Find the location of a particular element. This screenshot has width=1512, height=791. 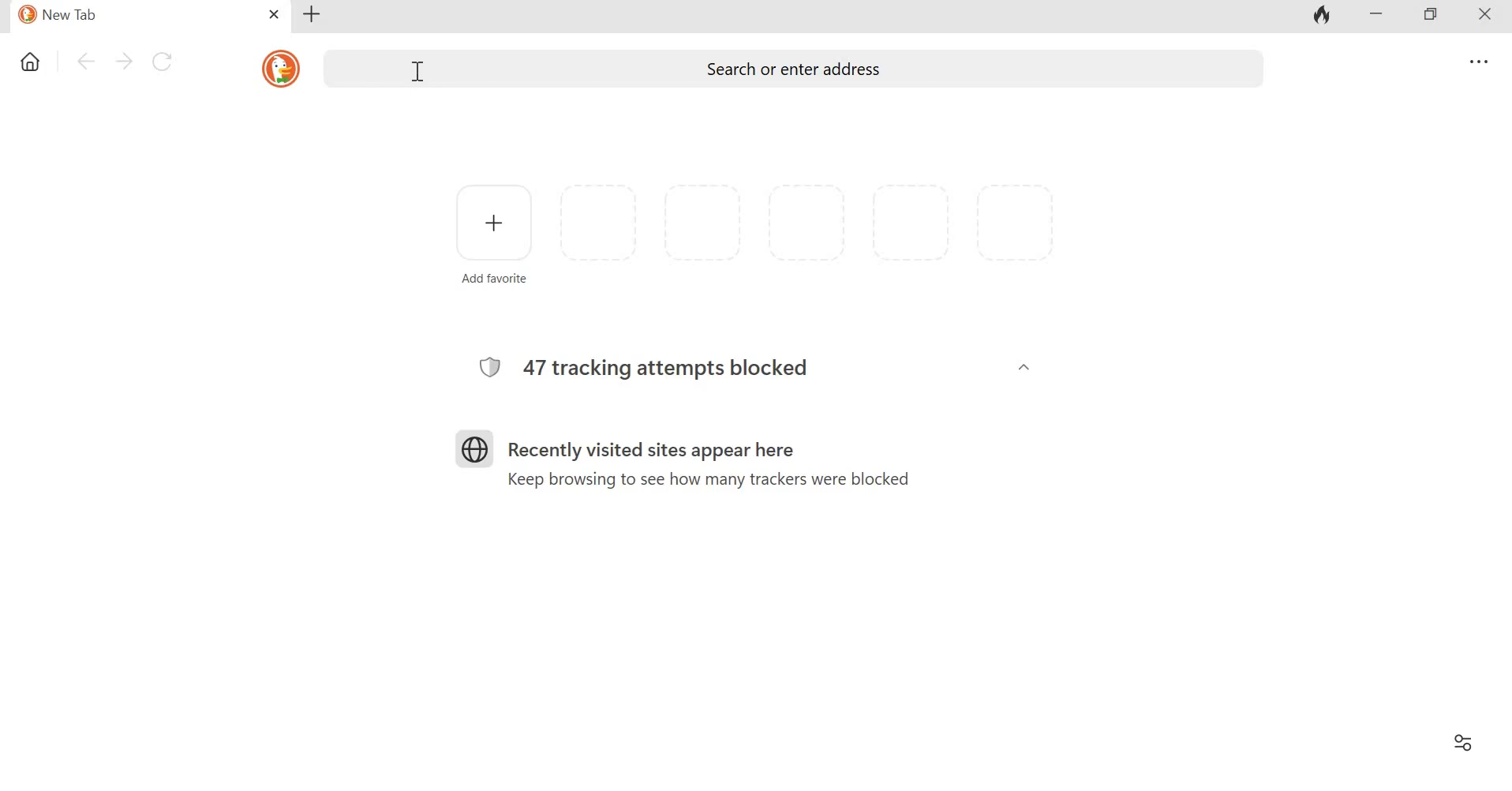

Go forward one page is located at coordinates (124, 61).